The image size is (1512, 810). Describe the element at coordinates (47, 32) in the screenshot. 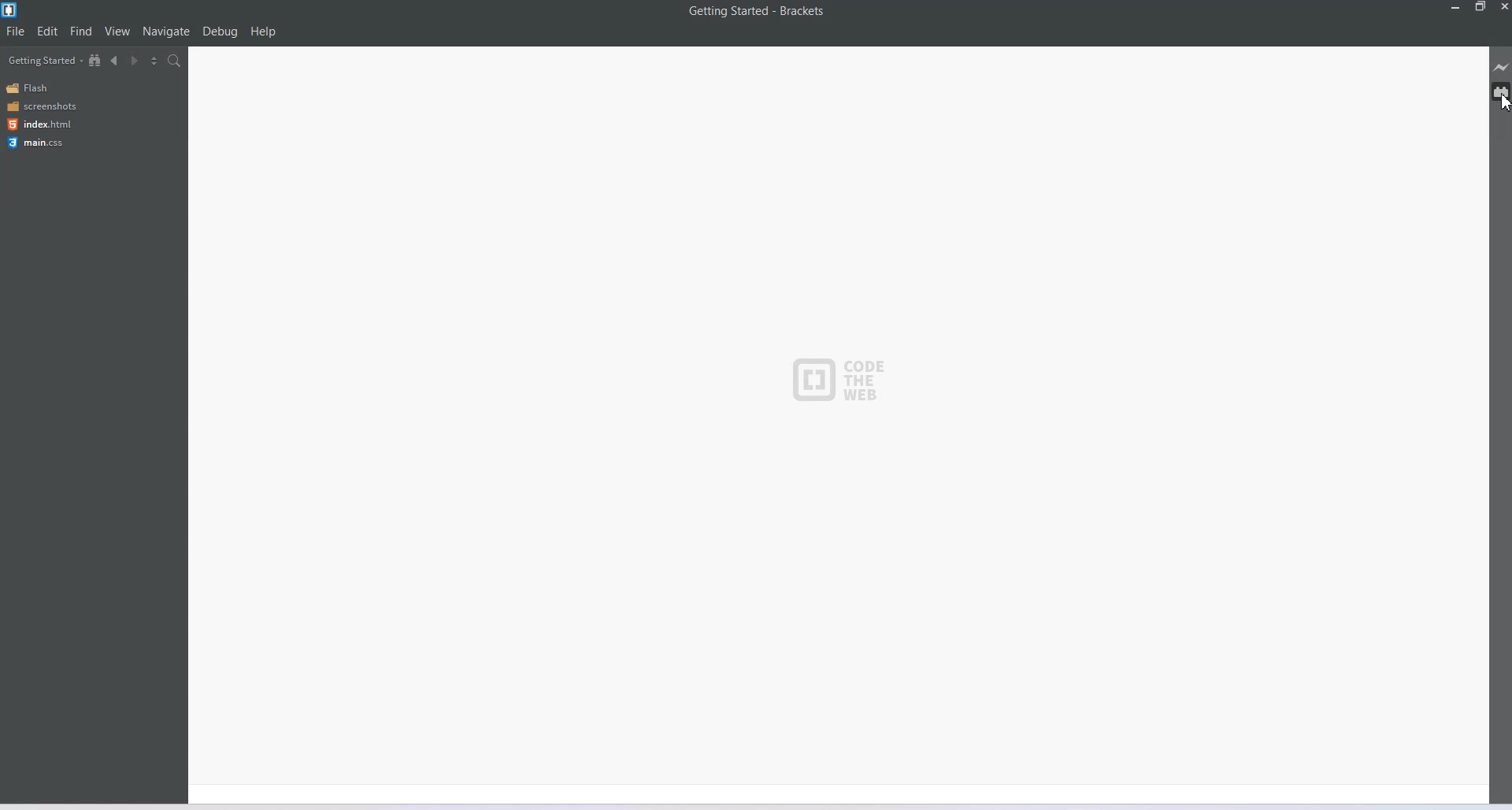

I see `Edit` at that location.